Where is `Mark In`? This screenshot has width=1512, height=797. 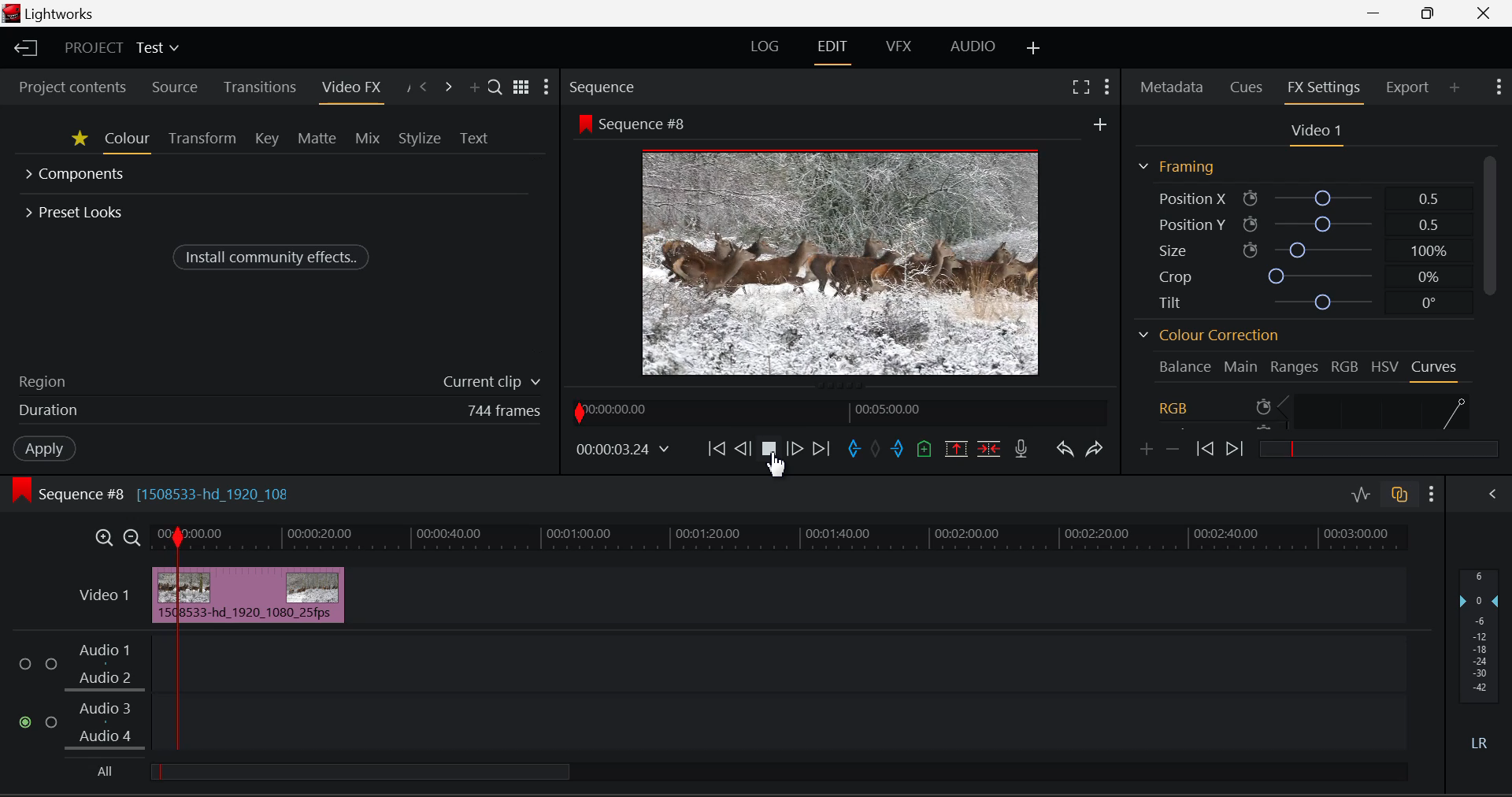
Mark In is located at coordinates (854, 448).